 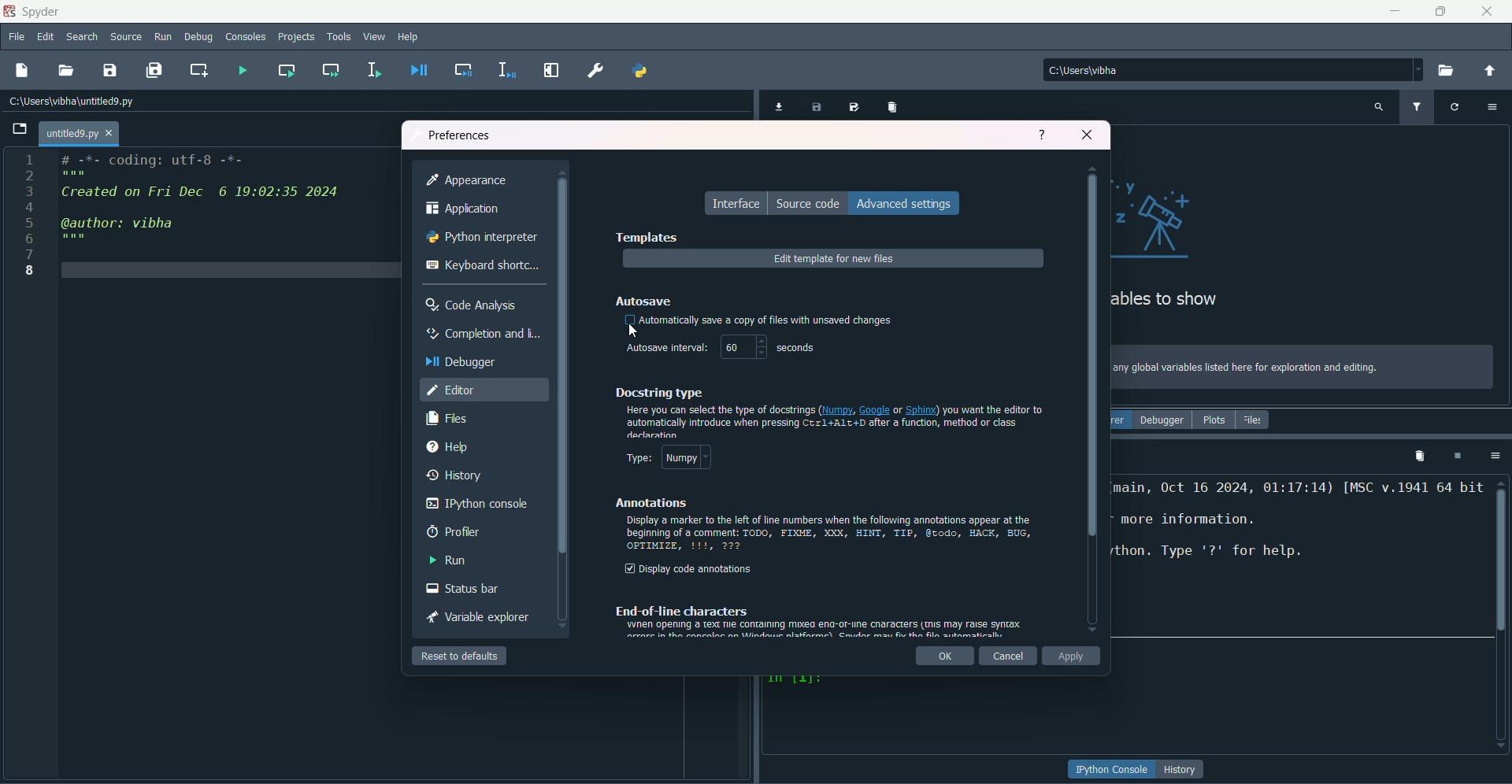 I want to click on name & logo, so click(x=33, y=11).